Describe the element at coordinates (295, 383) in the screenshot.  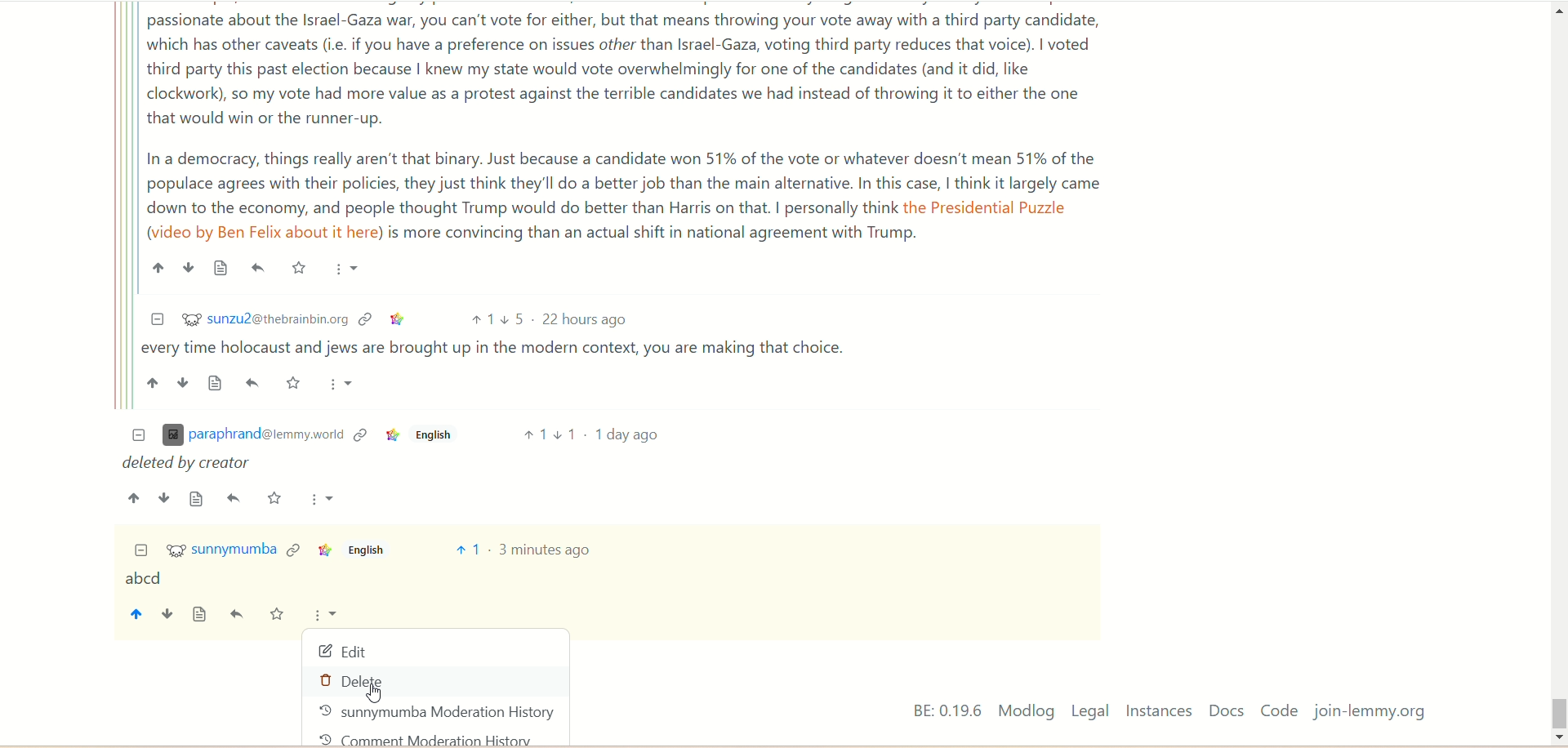
I see `Starred` at that location.